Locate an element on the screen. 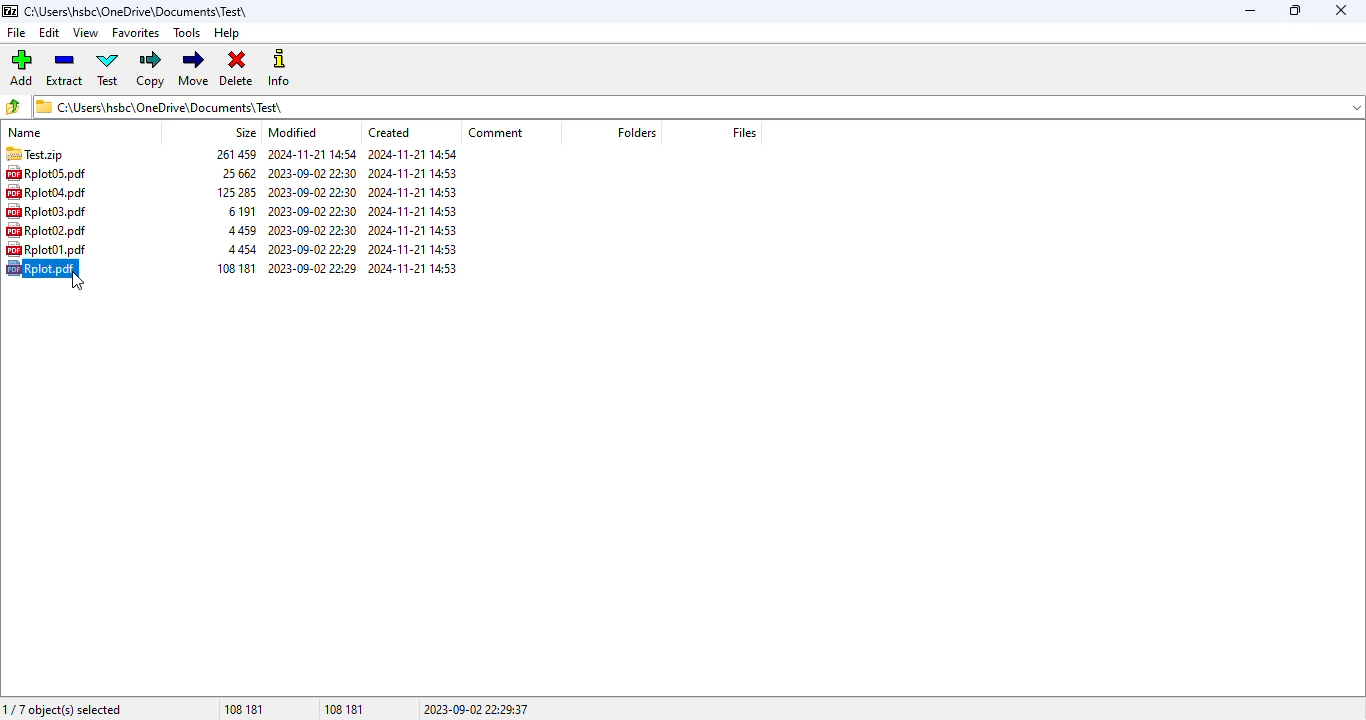  tools is located at coordinates (186, 33).